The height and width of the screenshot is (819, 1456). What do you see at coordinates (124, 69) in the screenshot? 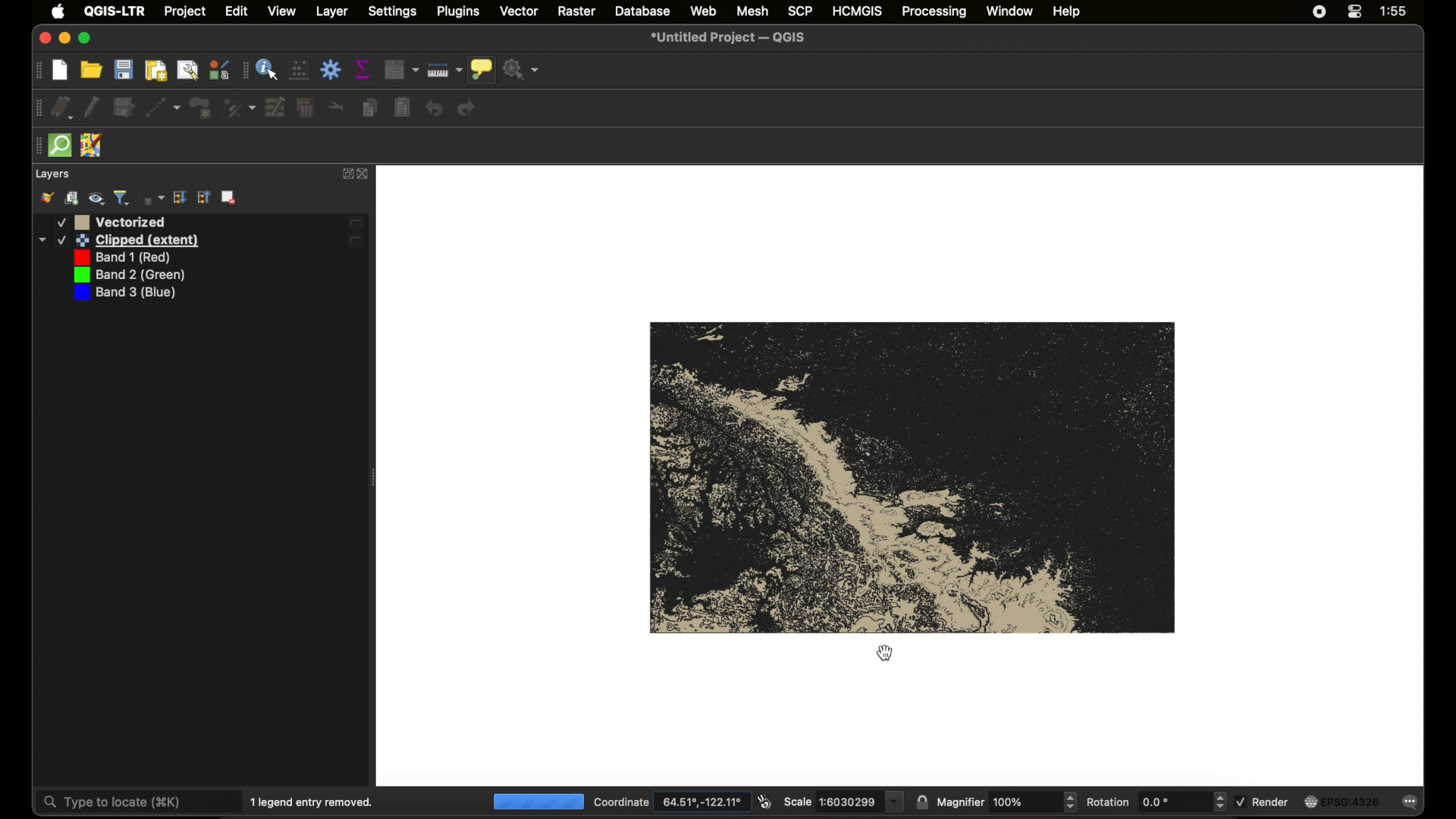
I see `save` at bounding box center [124, 69].